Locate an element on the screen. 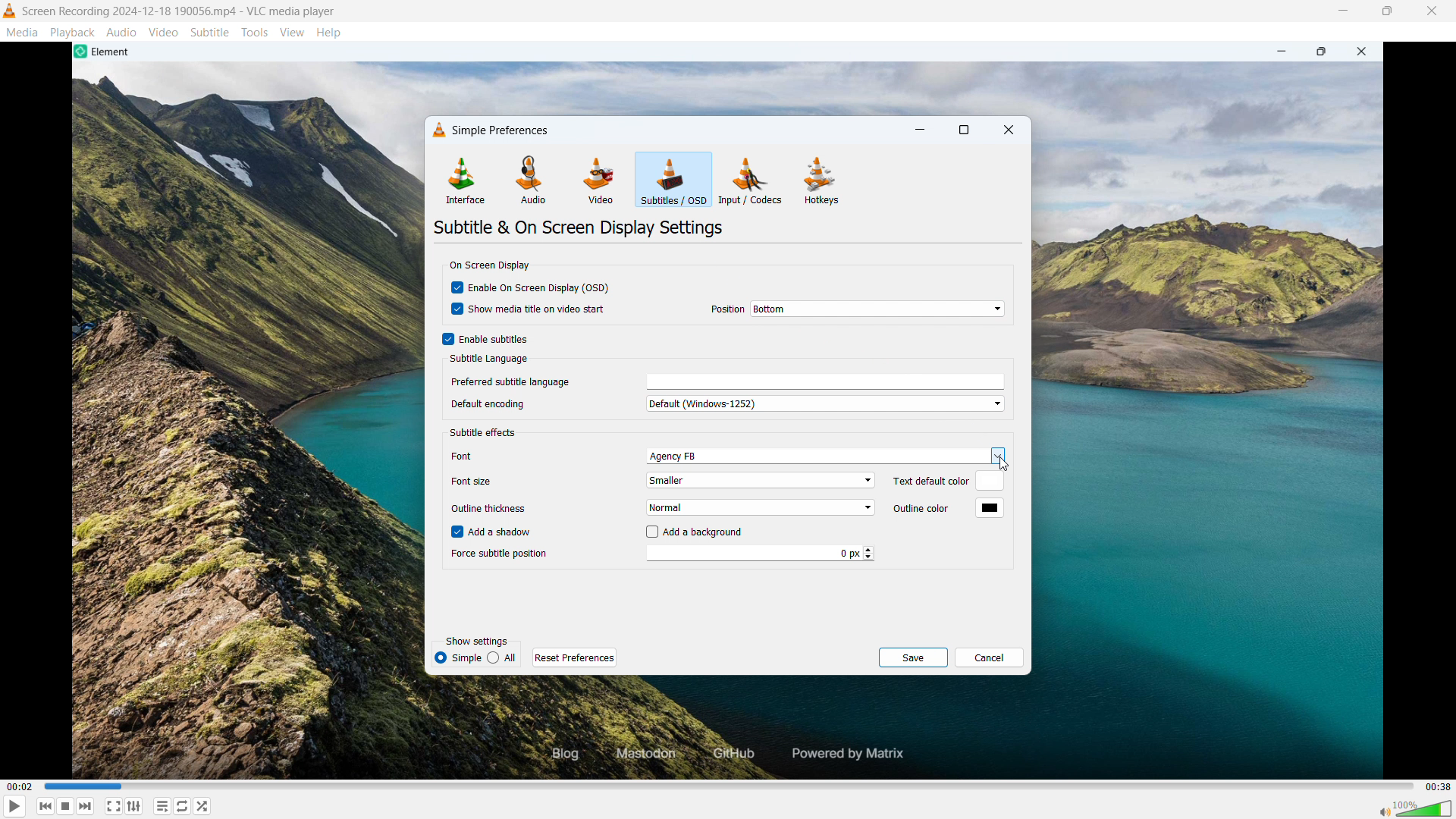  help is located at coordinates (329, 33).